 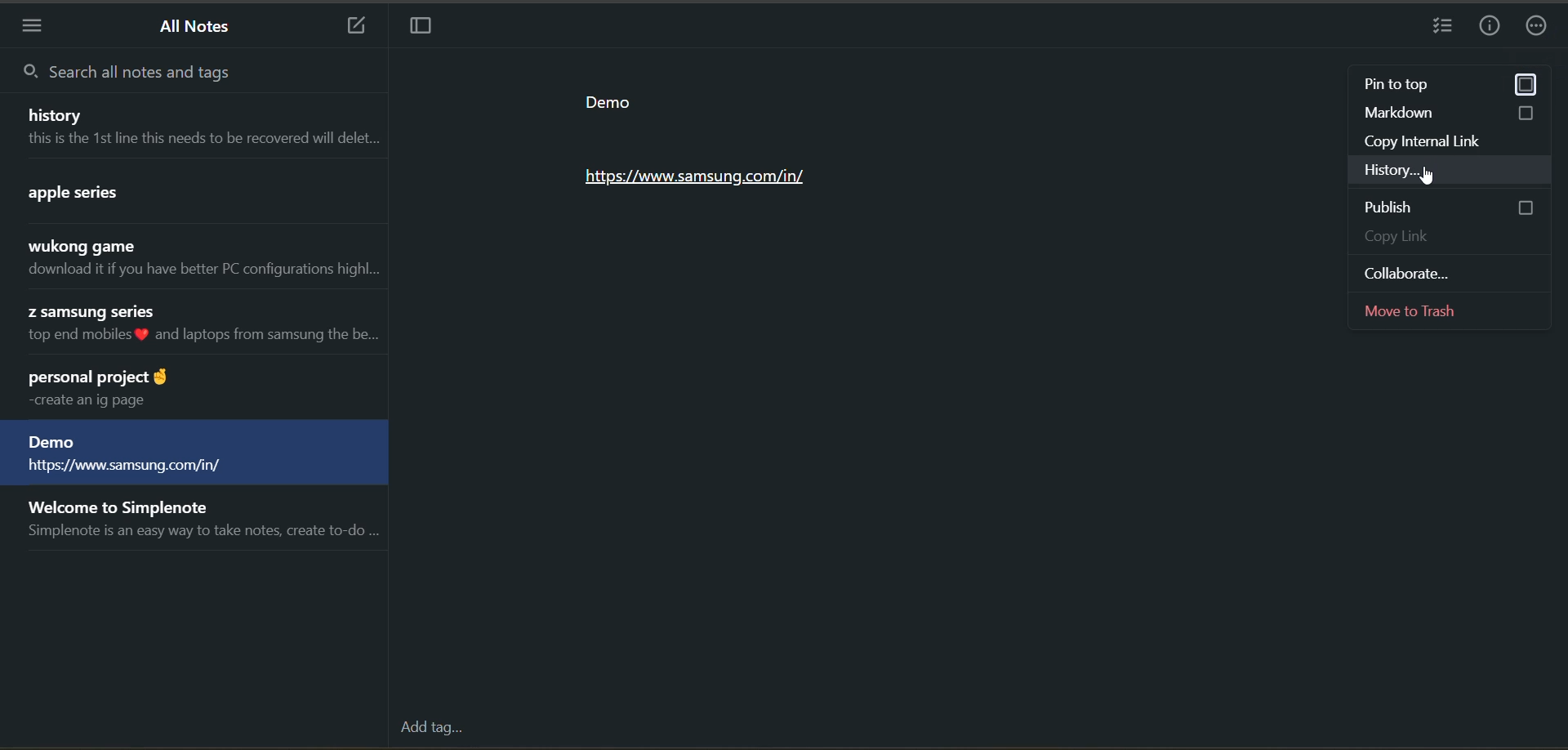 What do you see at coordinates (1454, 116) in the screenshot?
I see `markdown` at bounding box center [1454, 116].